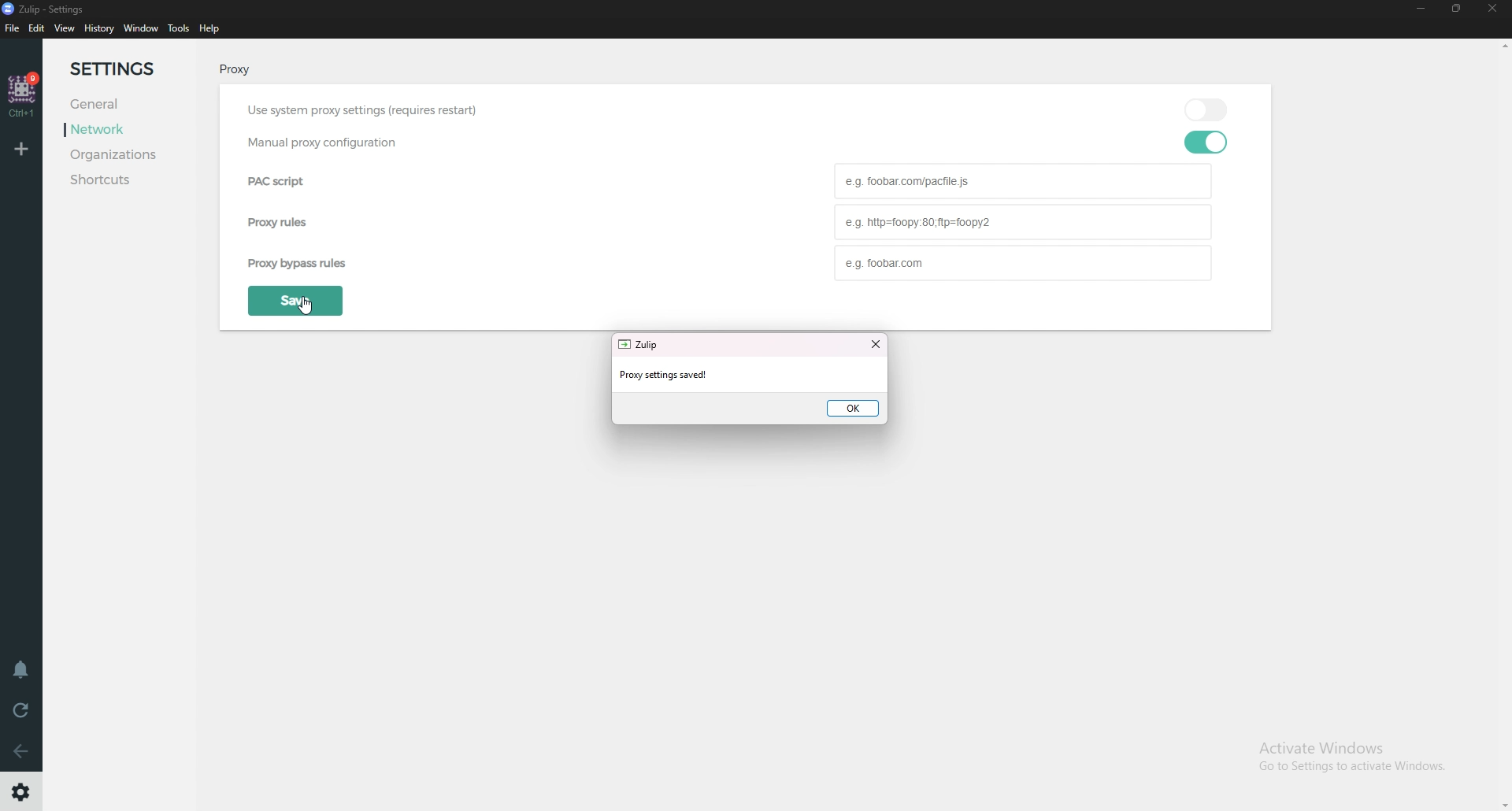  Describe the element at coordinates (209, 29) in the screenshot. I see `help` at that location.